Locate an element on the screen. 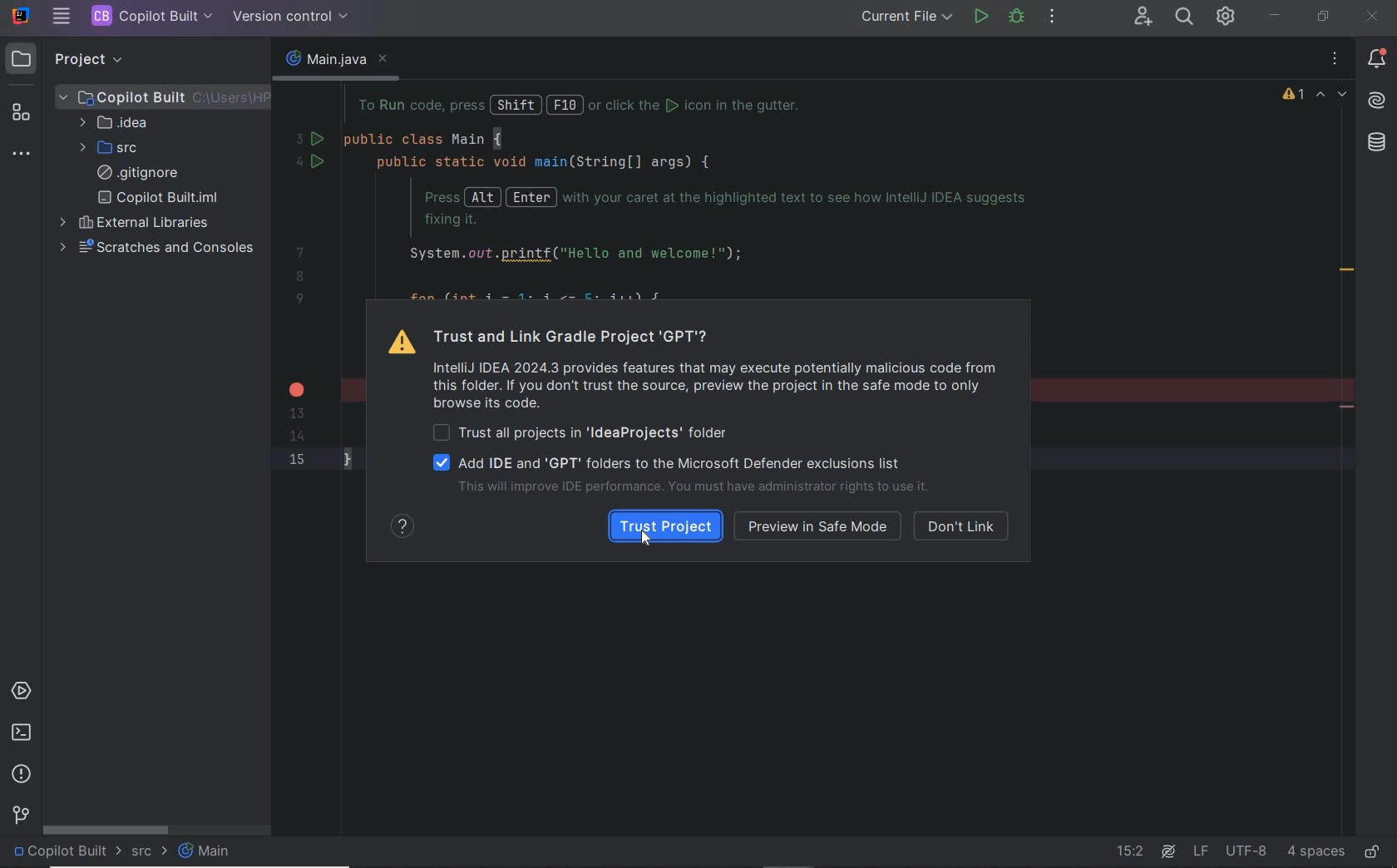 The height and width of the screenshot is (868, 1397). make file ready only is located at coordinates (1371, 851).